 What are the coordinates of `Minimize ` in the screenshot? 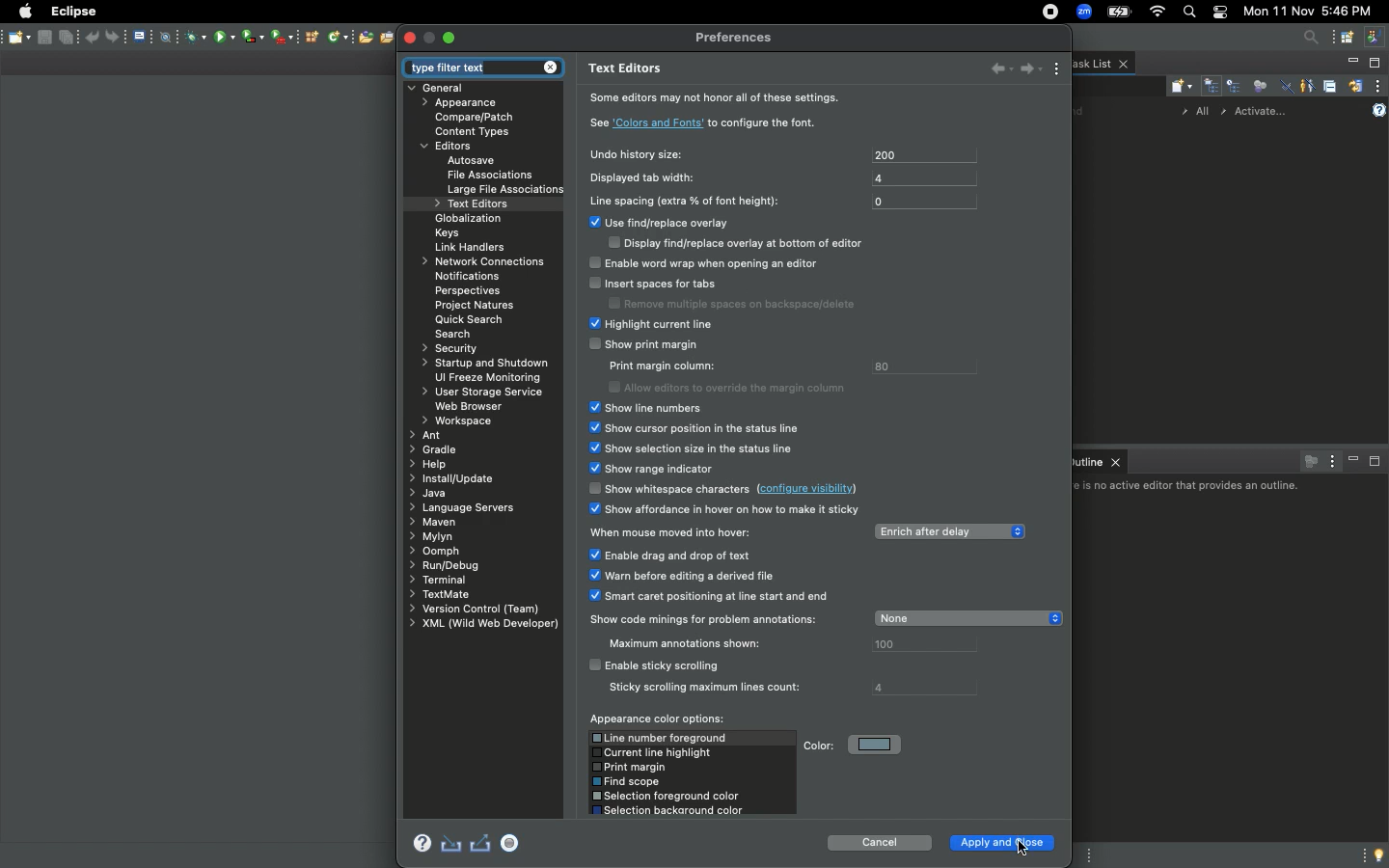 It's located at (1349, 64).